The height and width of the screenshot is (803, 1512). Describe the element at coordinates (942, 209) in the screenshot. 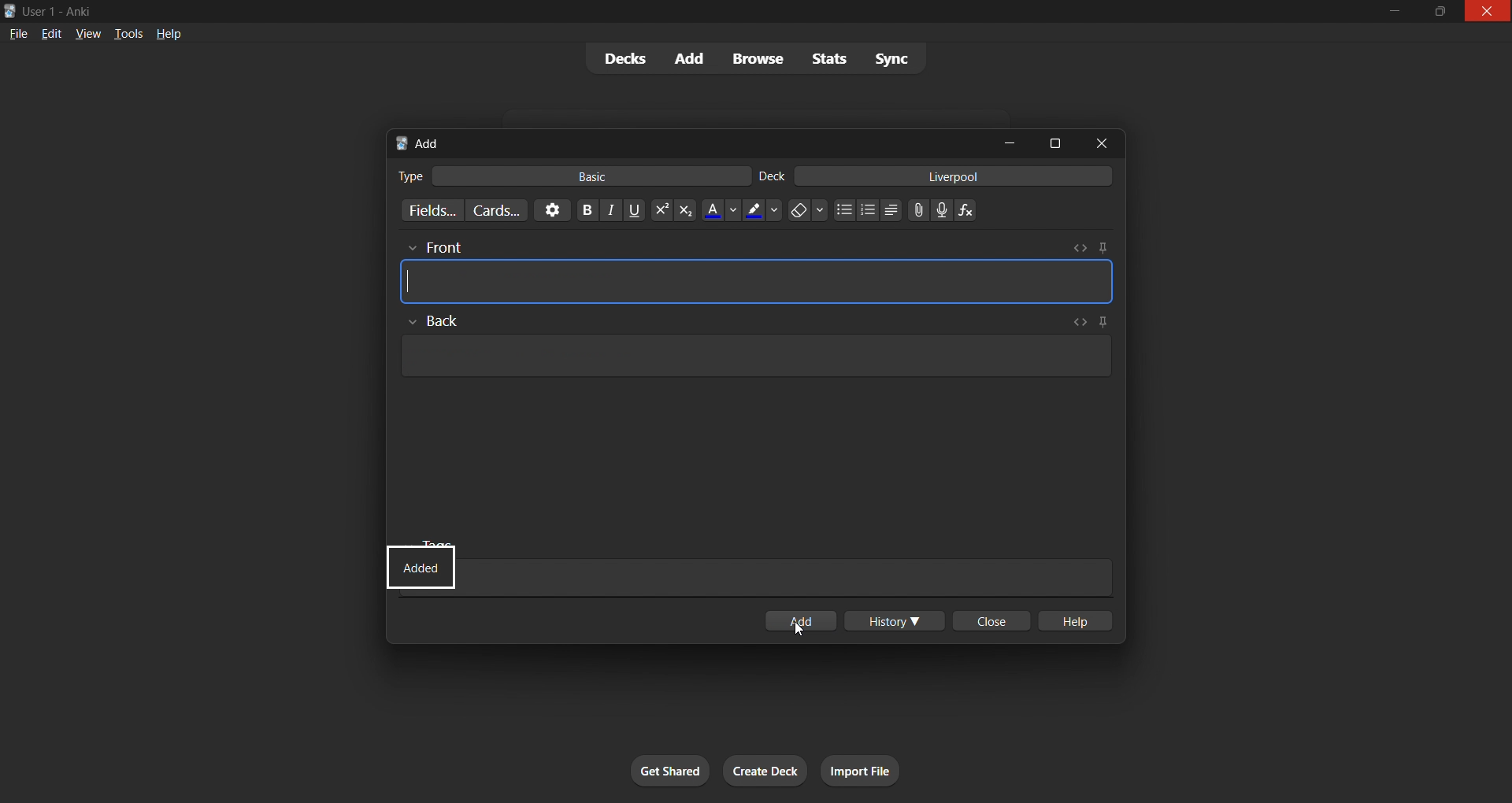

I see `add audio` at that location.